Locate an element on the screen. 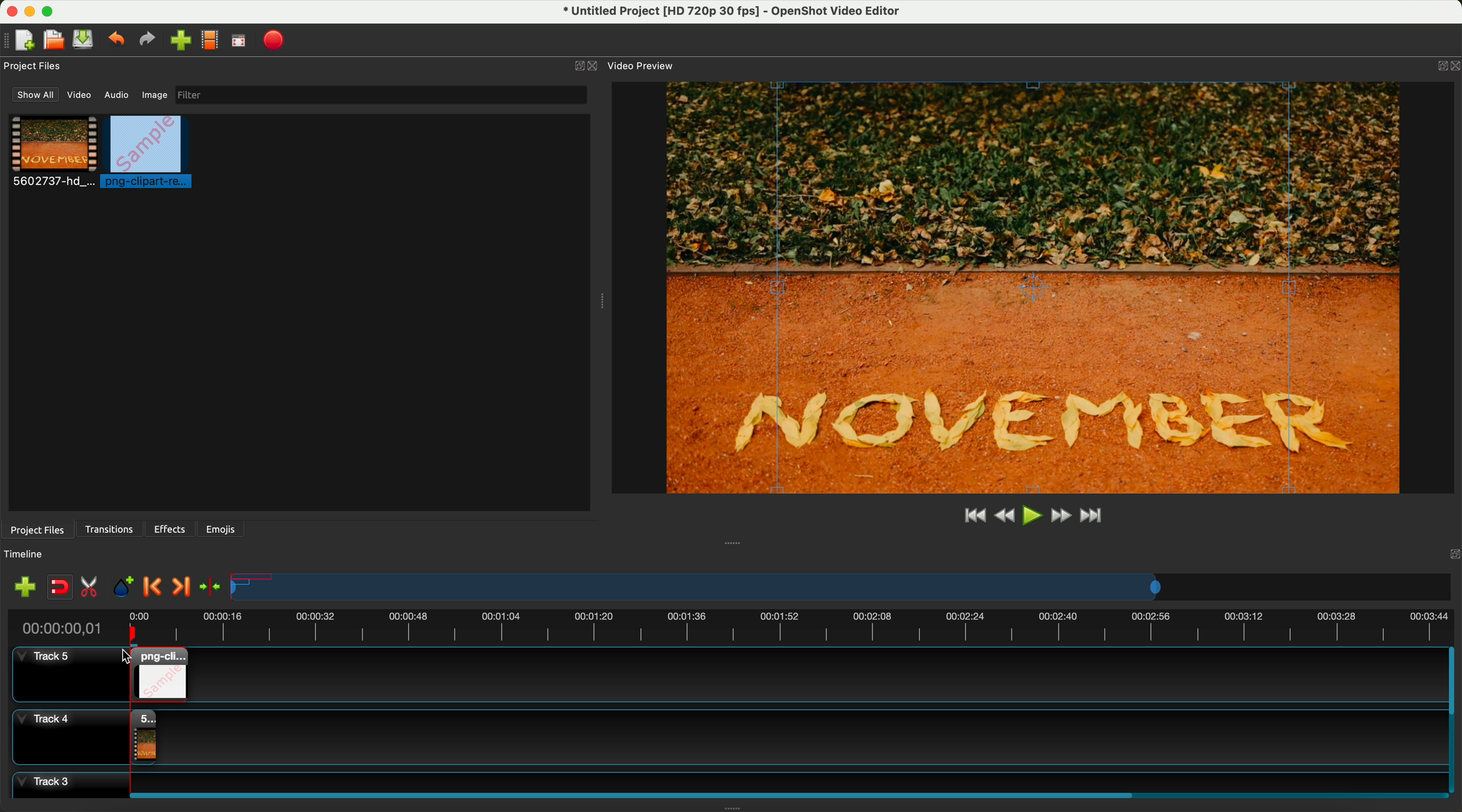 The height and width of the screenshot is (812, 1462). minimize is located at coordinates (30, 14).